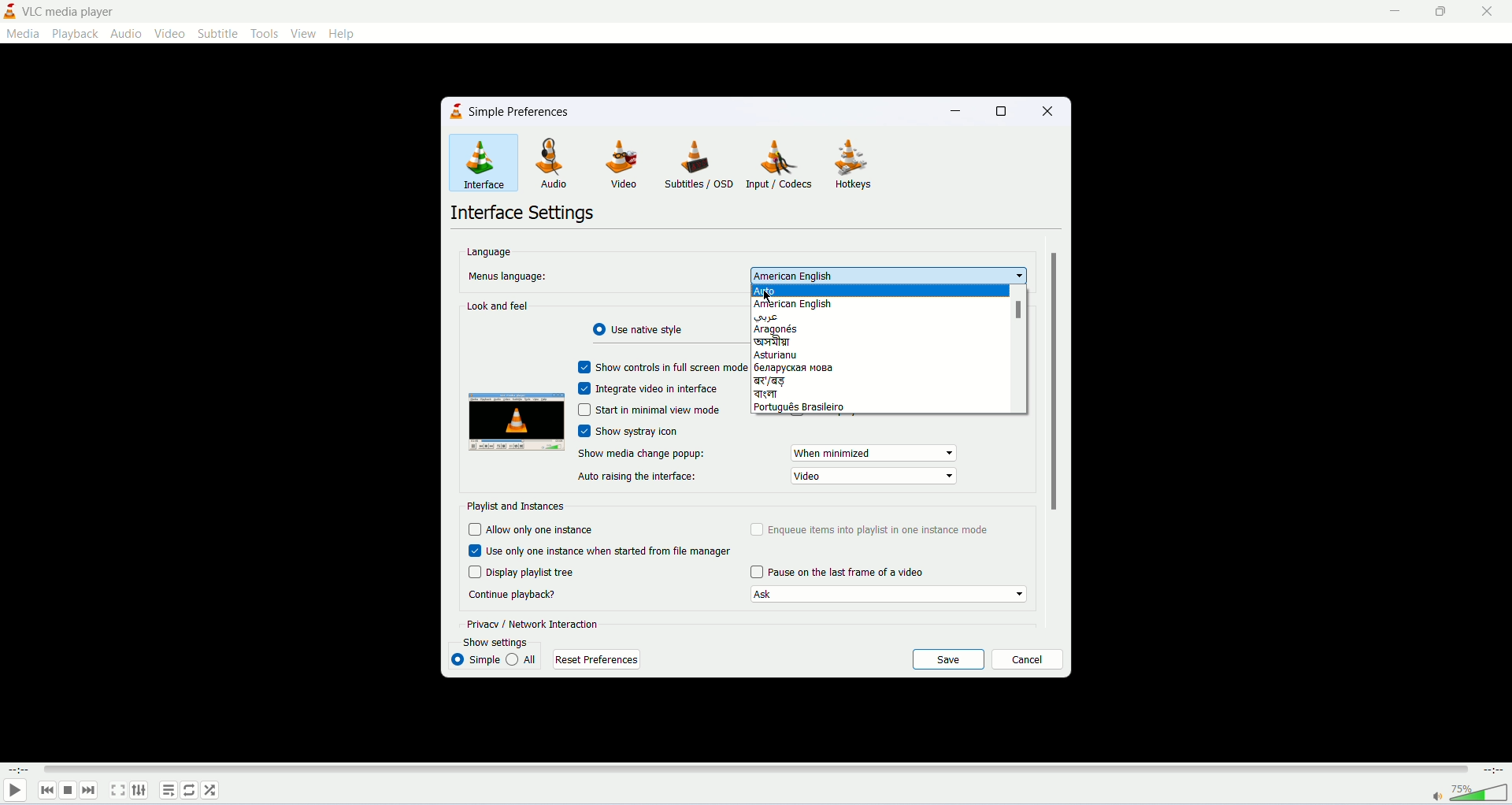 The width and height of the screenshot is (1512, 805). I want to click on view, so click(303, 33).